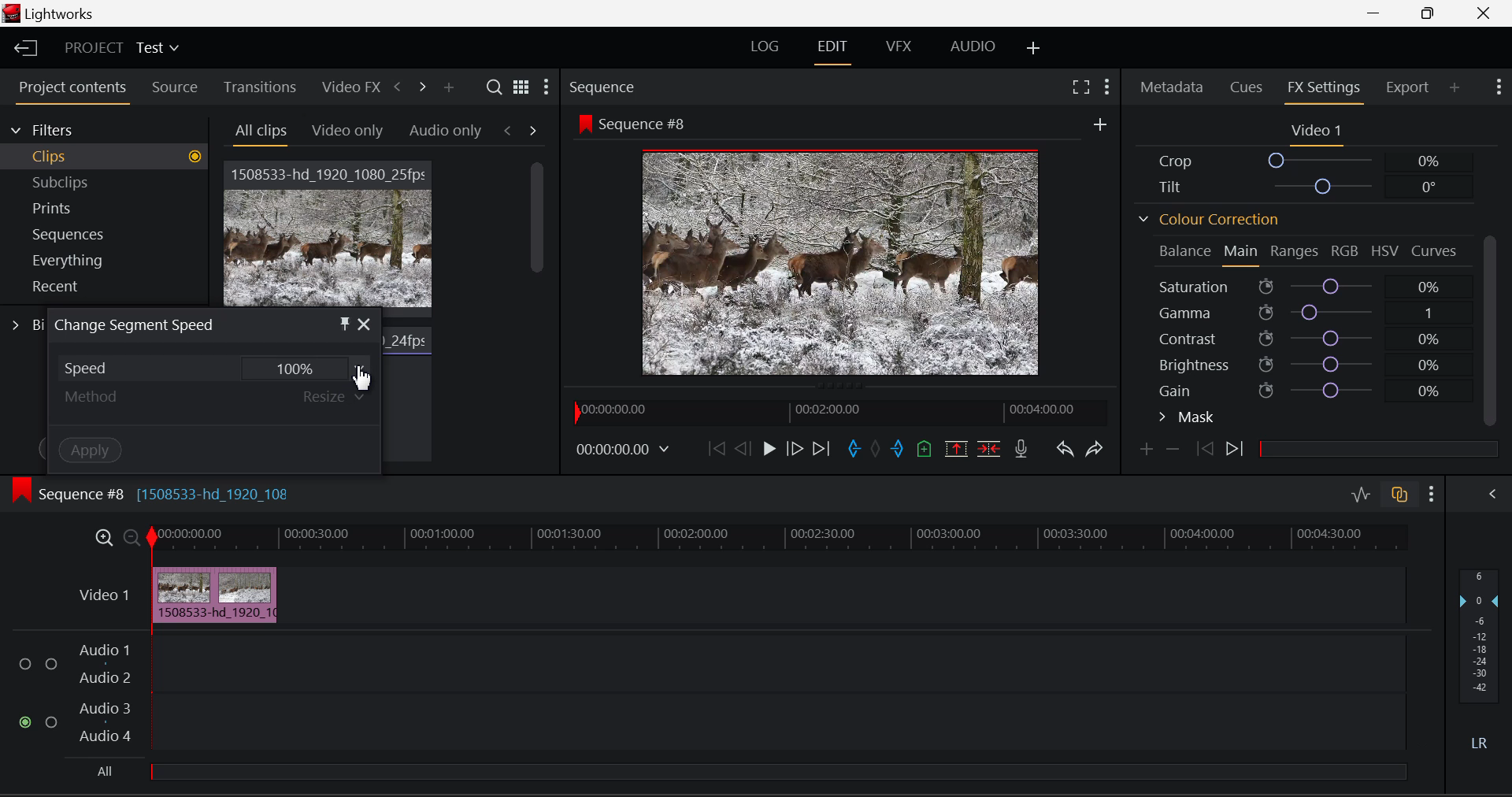 The image size is (1512, 797). Describe the element at coordinates (1299, 187) in the screenshot. I see `Tilt` at that location.